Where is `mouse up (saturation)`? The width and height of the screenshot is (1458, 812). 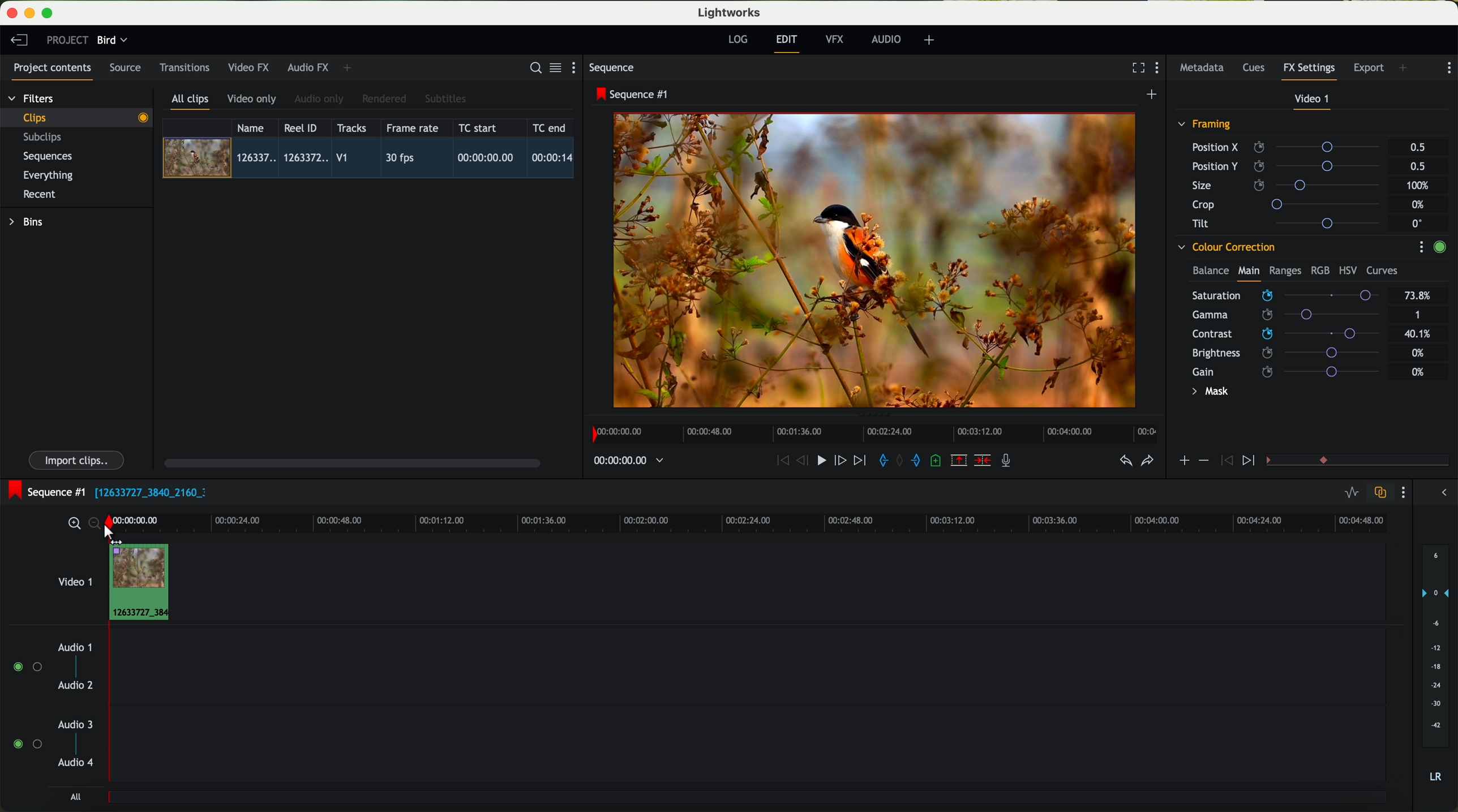 mouse up (saturation) is located at coordinates (1285, 293).